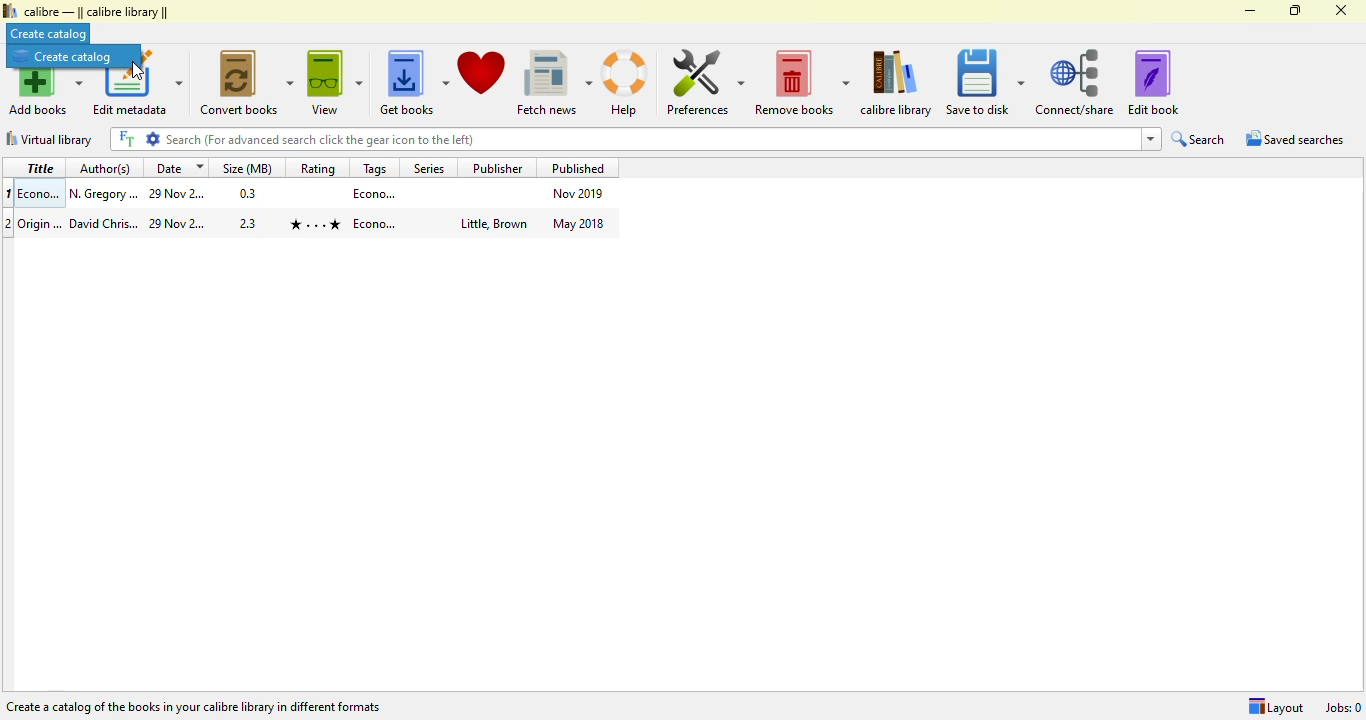 The image size is (1366, 720). I want to click on save to disk, so click(984, 82).